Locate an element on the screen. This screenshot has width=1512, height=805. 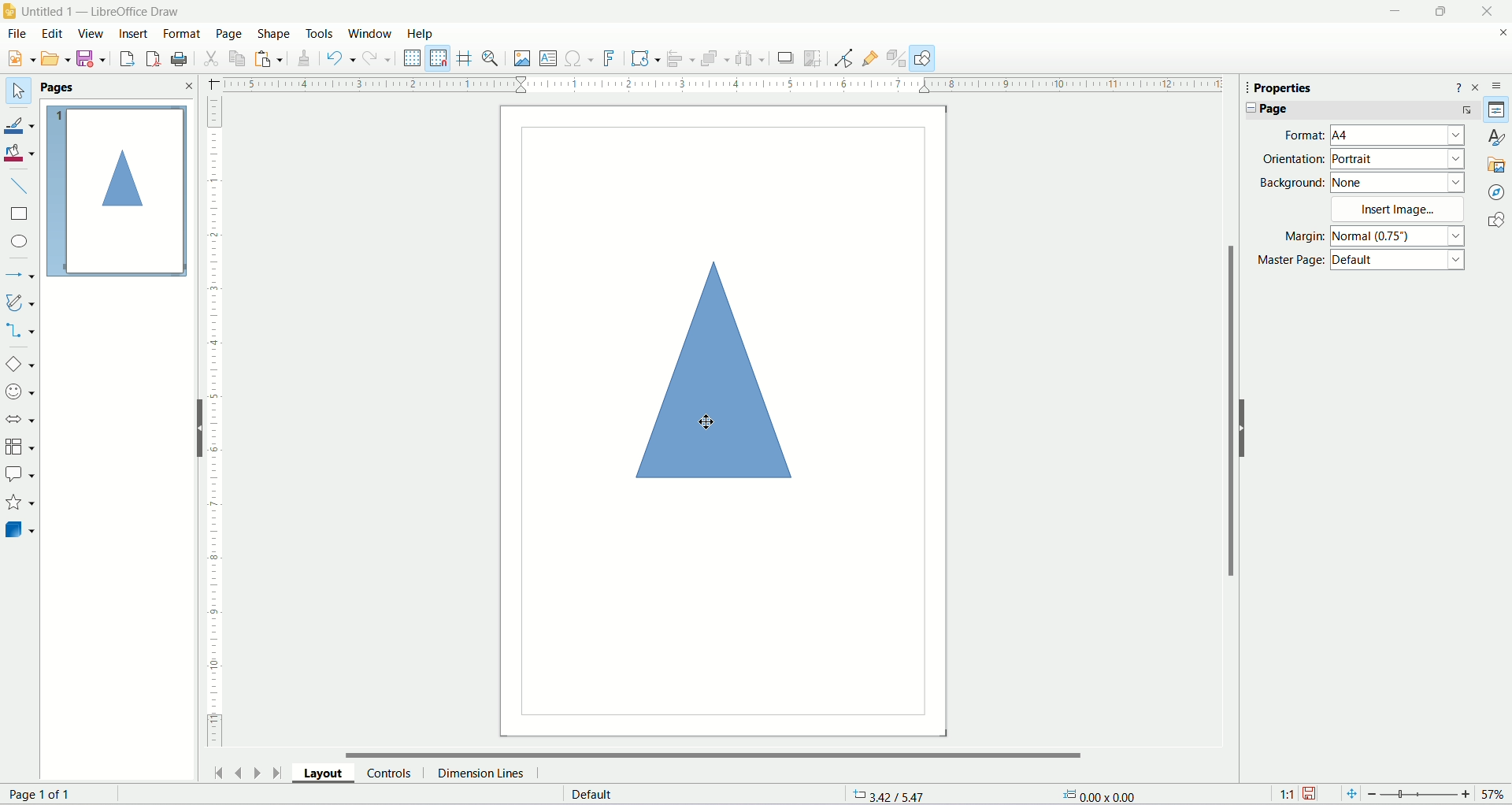
Shapes is located at coordinates (1499, 220).